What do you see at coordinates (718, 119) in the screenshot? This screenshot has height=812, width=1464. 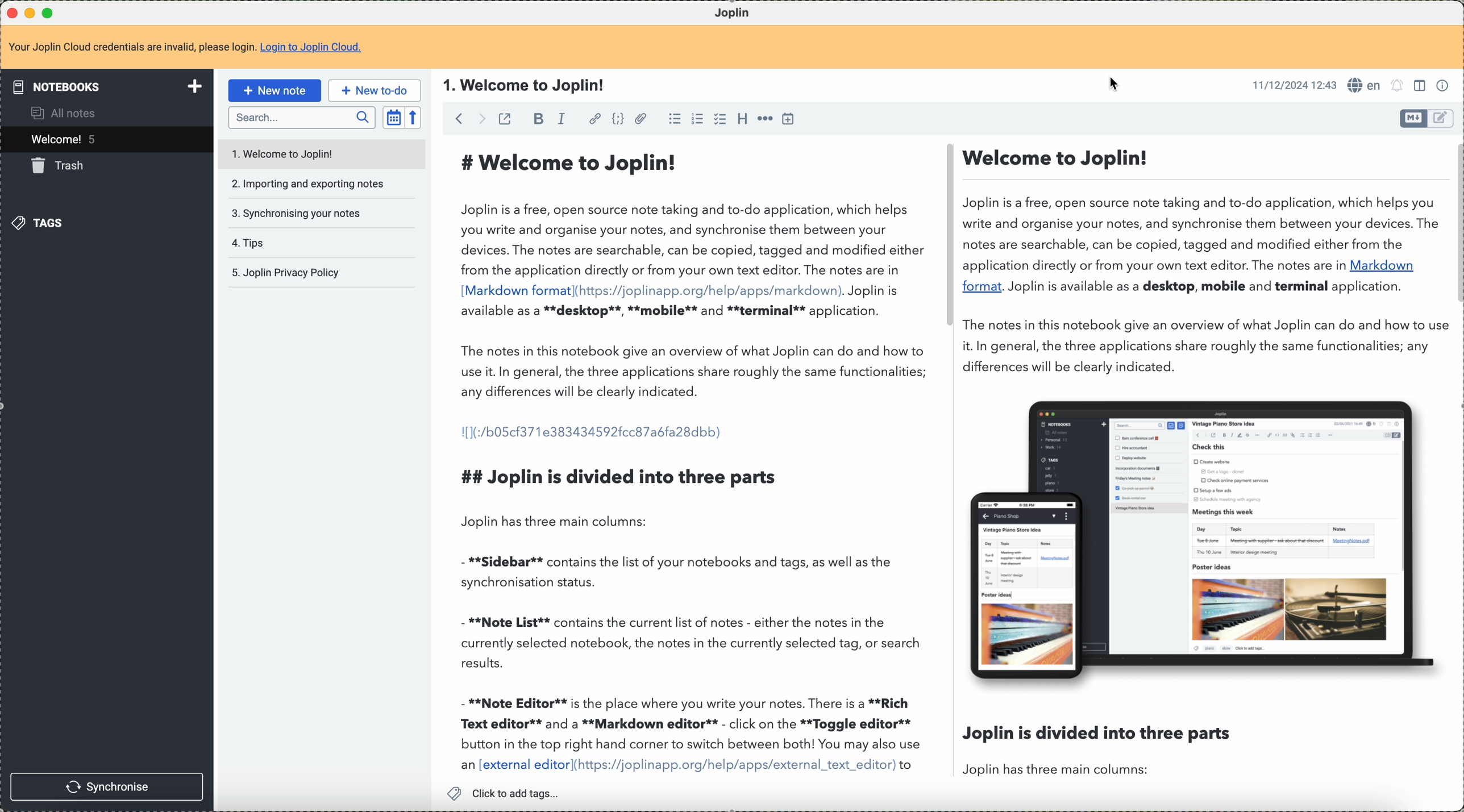 I see `checkbox` at bounding box center [718, 119].